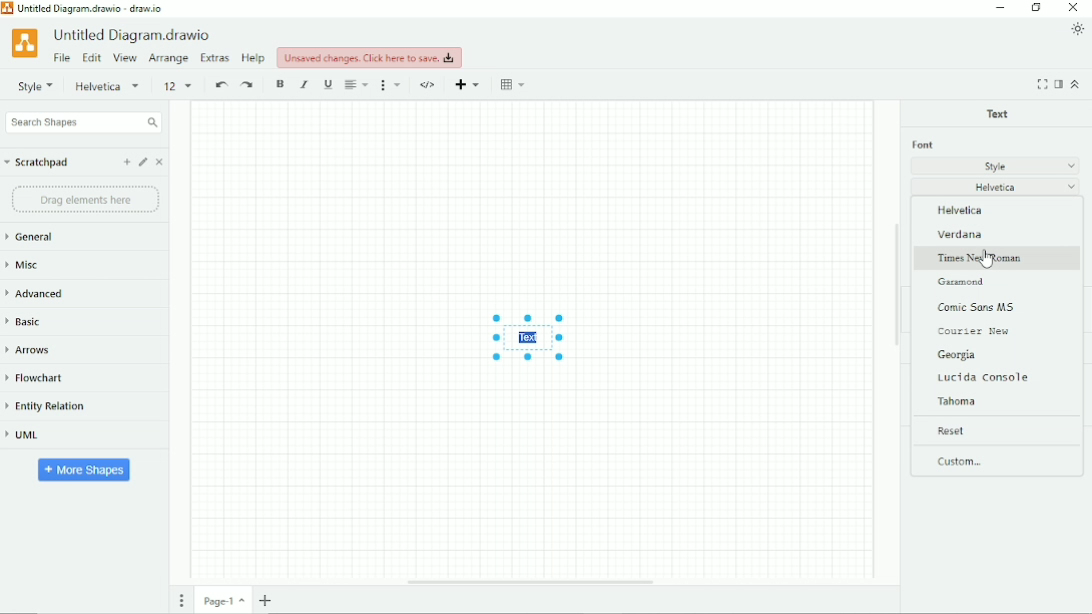 This screenshot has width=1092, height=614. I want to click on Logo, so click(25, 43).